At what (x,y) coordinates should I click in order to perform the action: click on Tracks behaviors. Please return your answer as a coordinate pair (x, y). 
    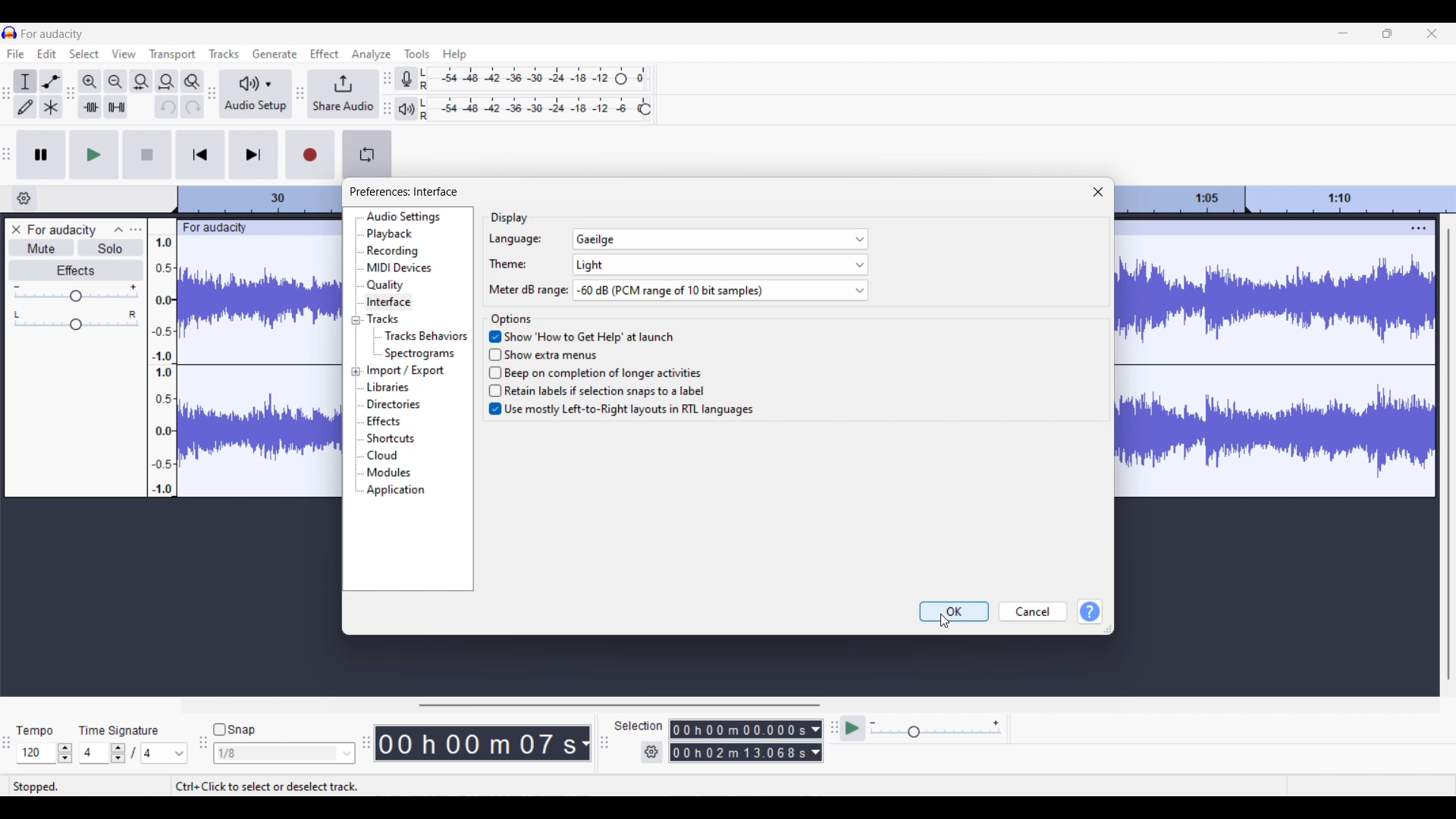
    Looking at the image, I should click on (425, 335).